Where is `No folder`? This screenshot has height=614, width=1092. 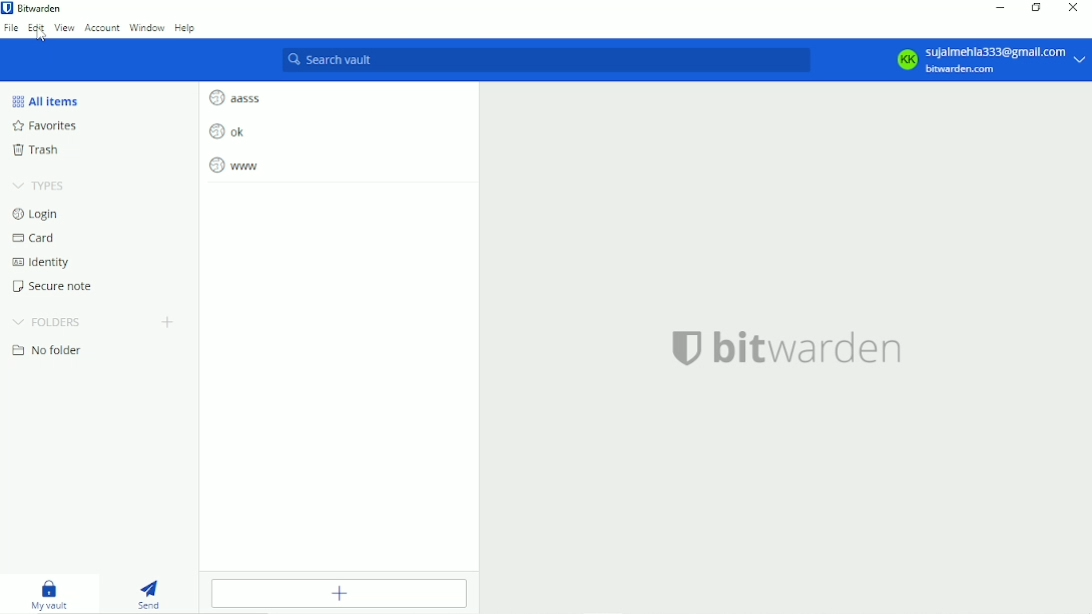
No folder is located at coordinates (49, 350).